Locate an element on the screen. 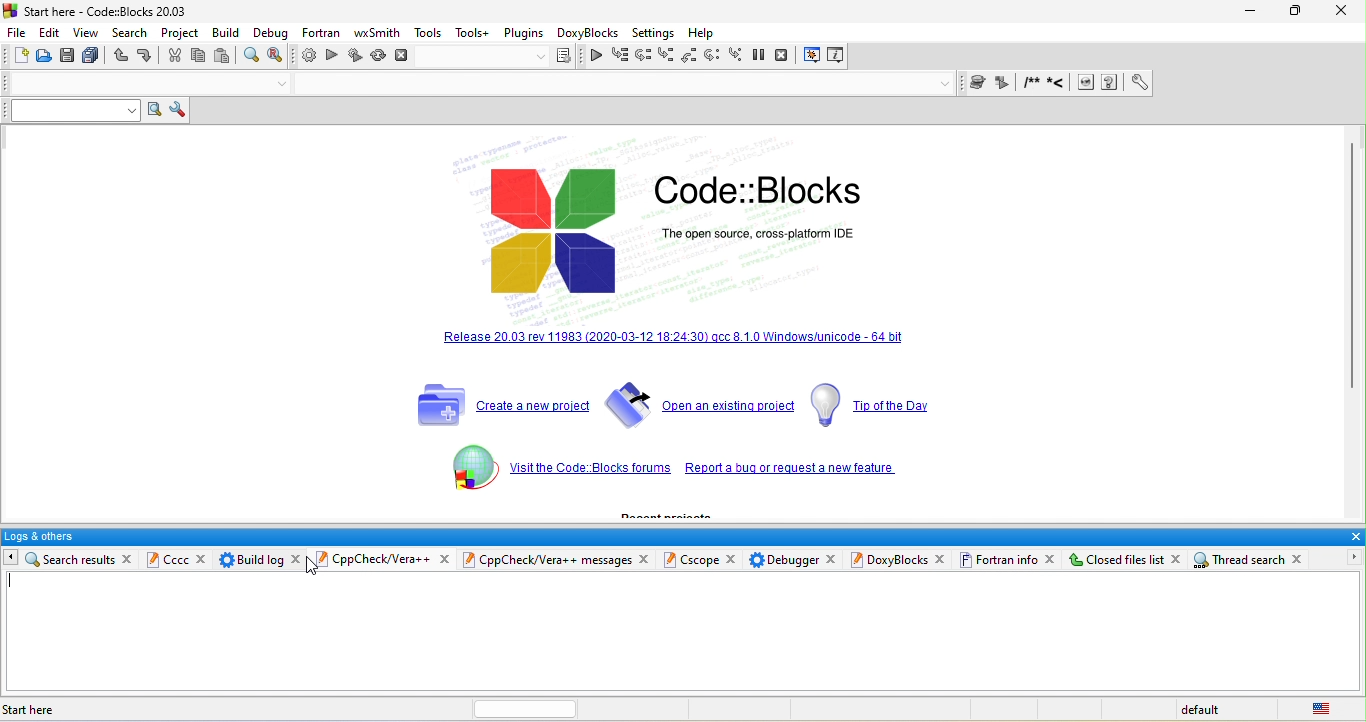 The image size is (1366, 722). close is located at coordinates (127, 558).